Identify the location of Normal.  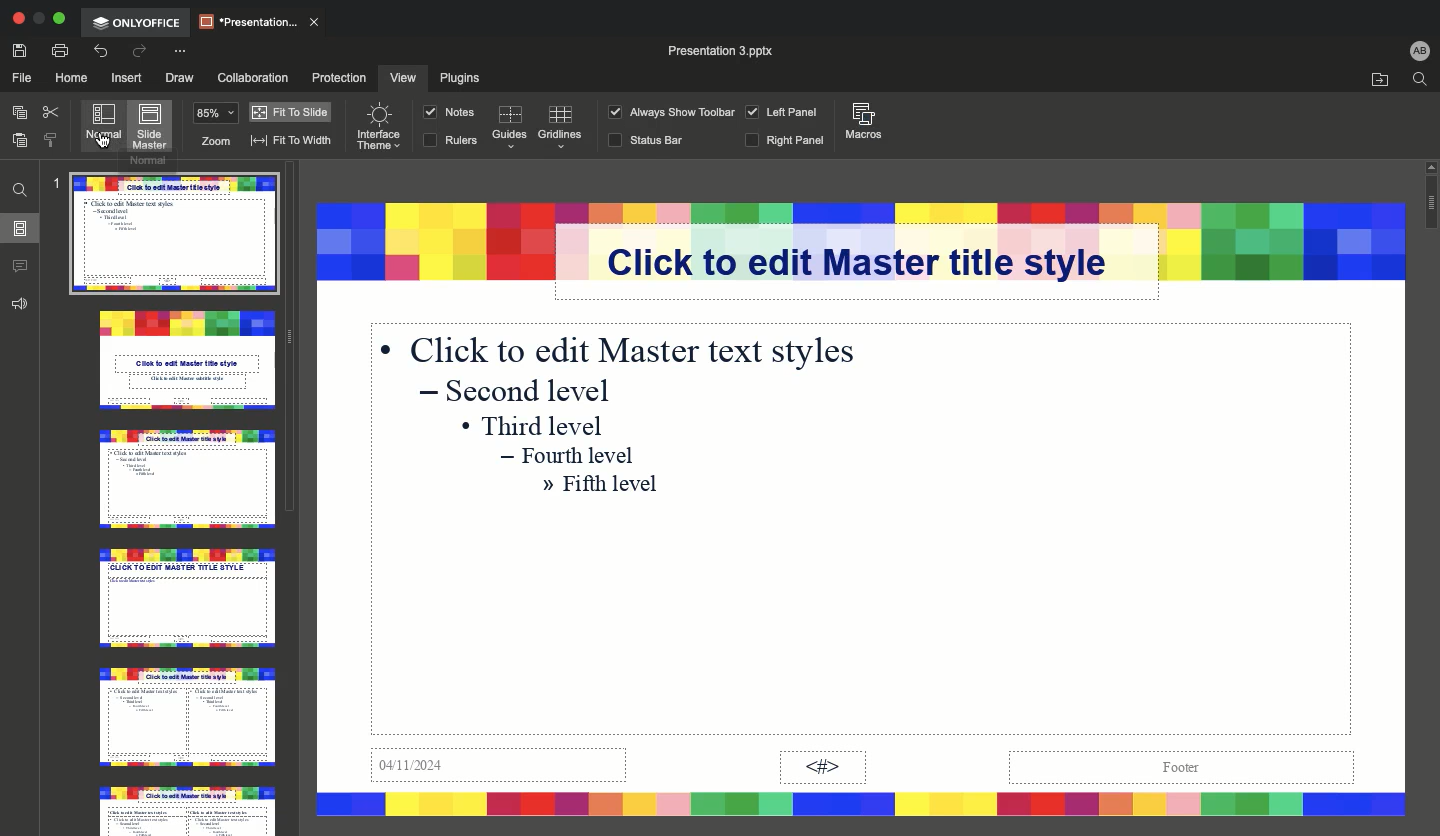
(106, 125).